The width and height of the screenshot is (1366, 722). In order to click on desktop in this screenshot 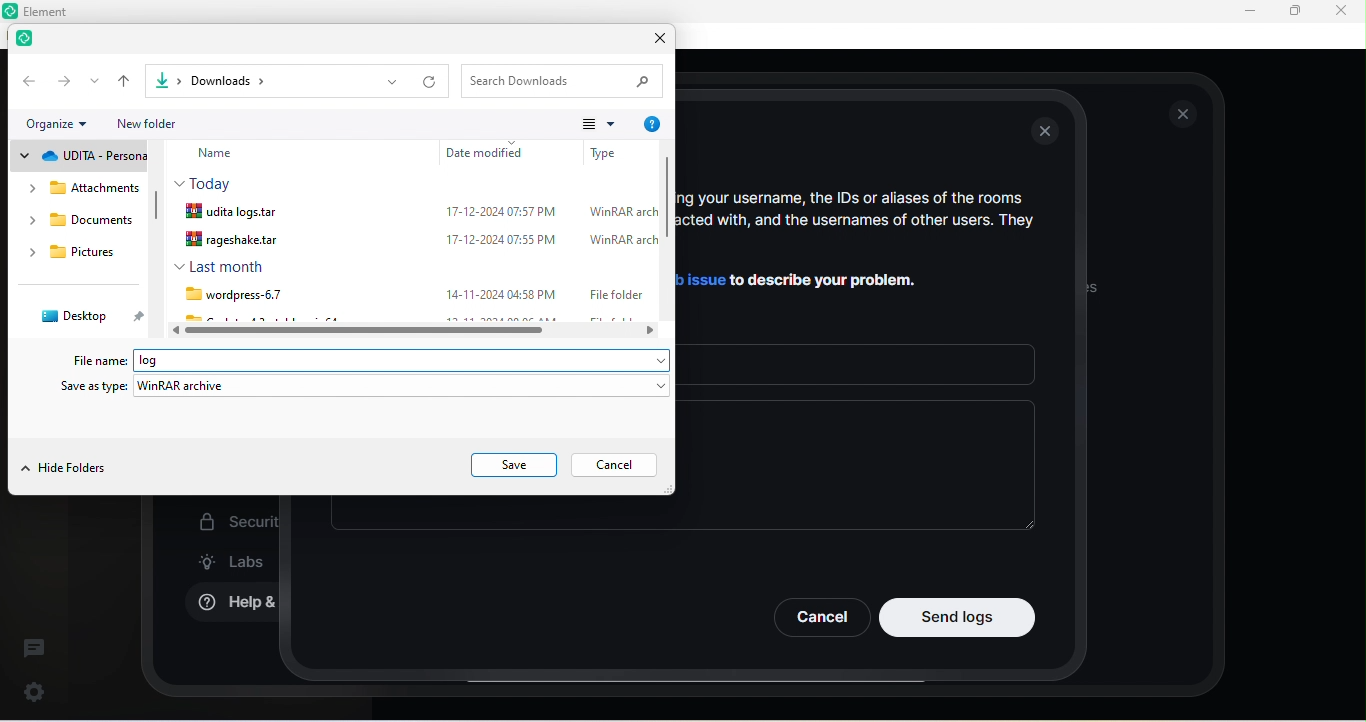, I will do `click(86, 316)`.